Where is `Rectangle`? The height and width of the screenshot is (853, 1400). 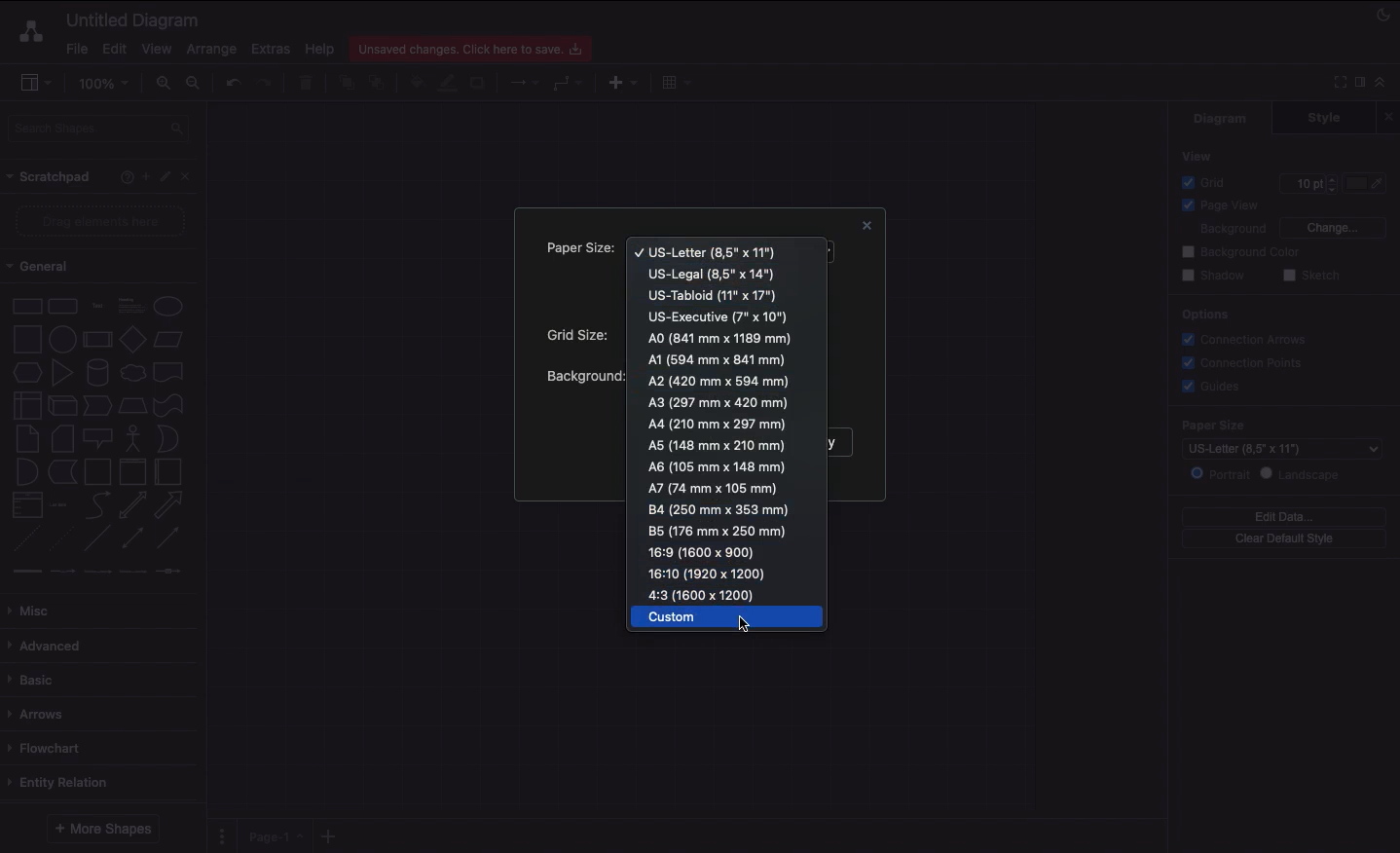
Rectangle is located at coordinates (25, 305).